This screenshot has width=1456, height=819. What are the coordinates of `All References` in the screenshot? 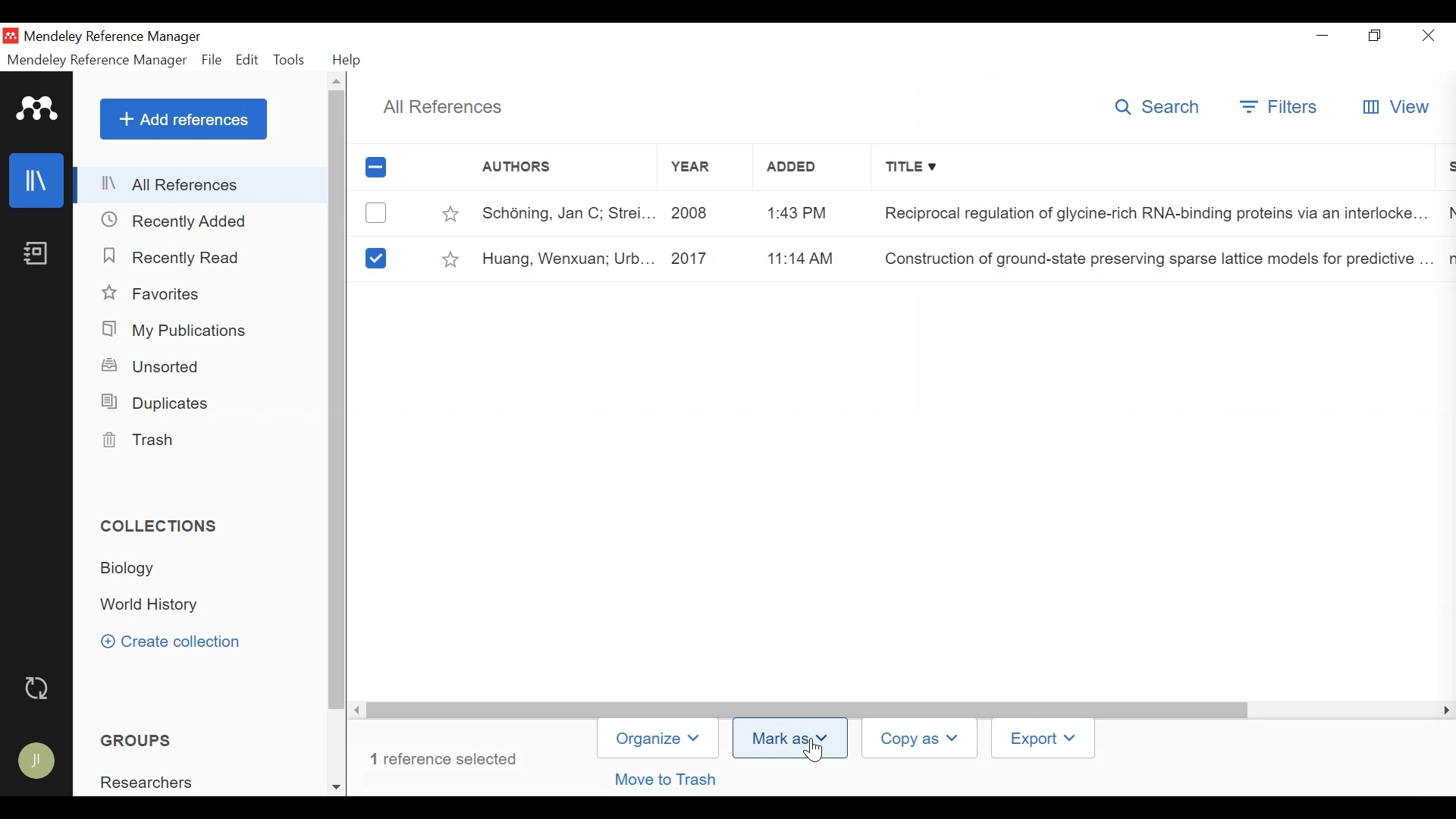 It's located at (202, 185).